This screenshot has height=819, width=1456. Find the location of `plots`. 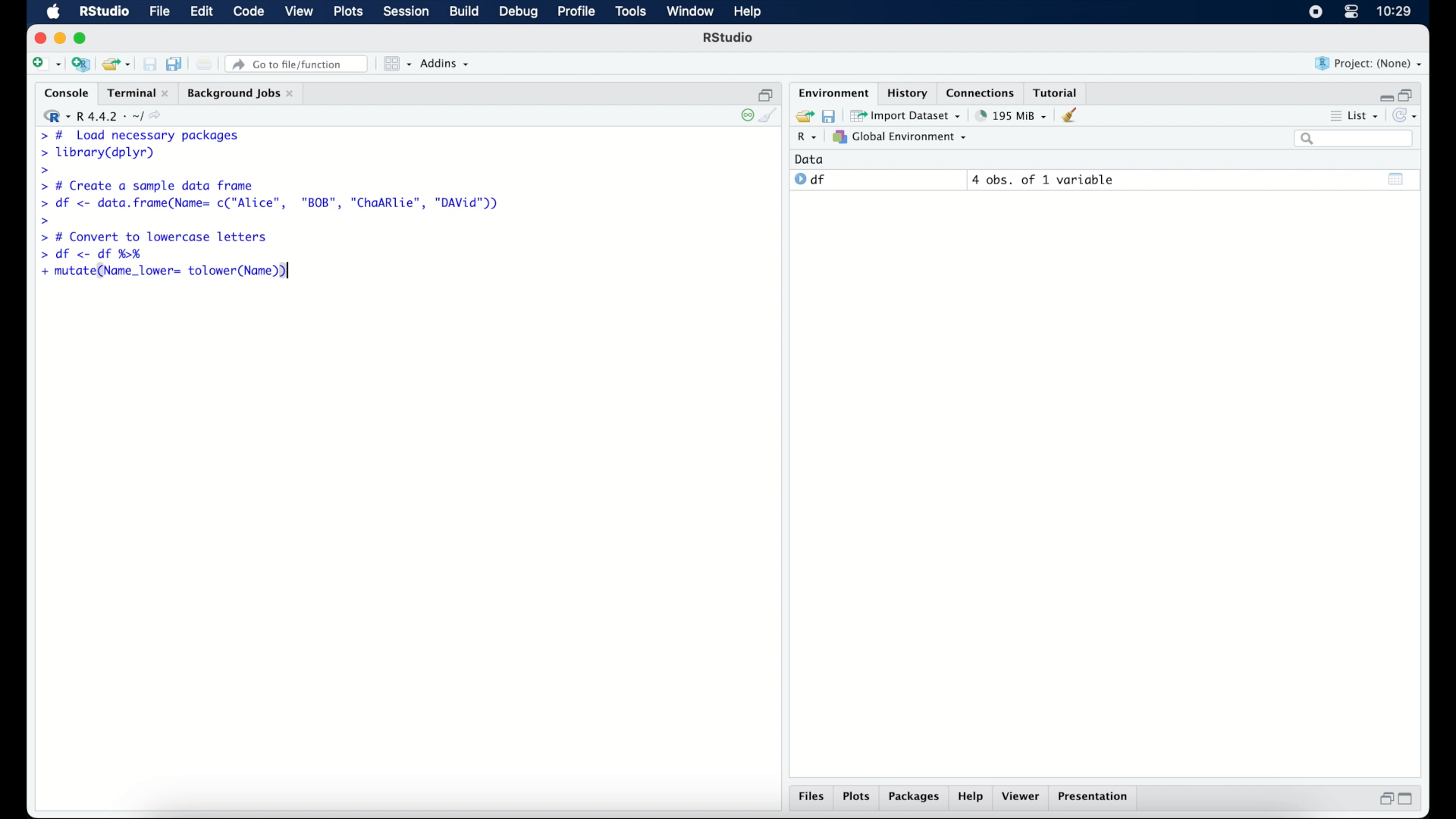

plots is located at coordinates (858, 798).